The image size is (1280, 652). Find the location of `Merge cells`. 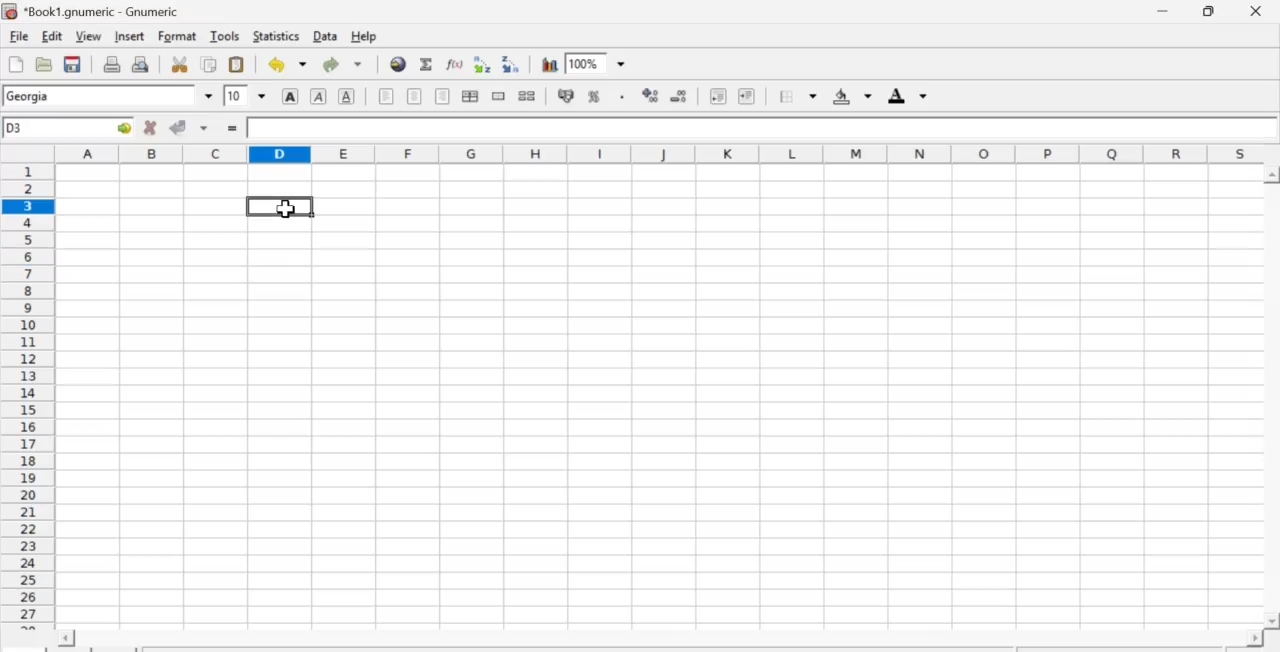

Merge cells is located at coordinates (500, 96).